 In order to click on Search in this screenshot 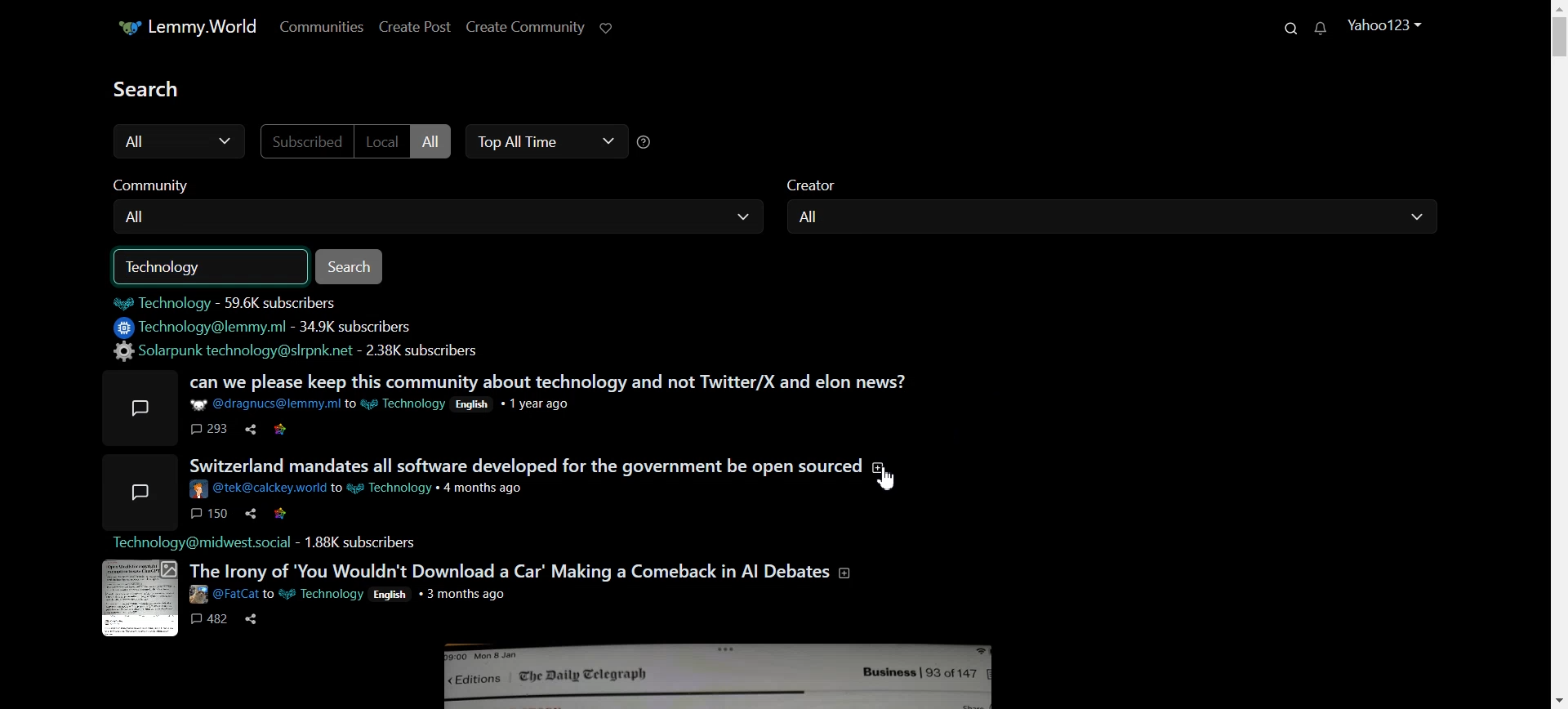, I will do `click(353, 266)`.